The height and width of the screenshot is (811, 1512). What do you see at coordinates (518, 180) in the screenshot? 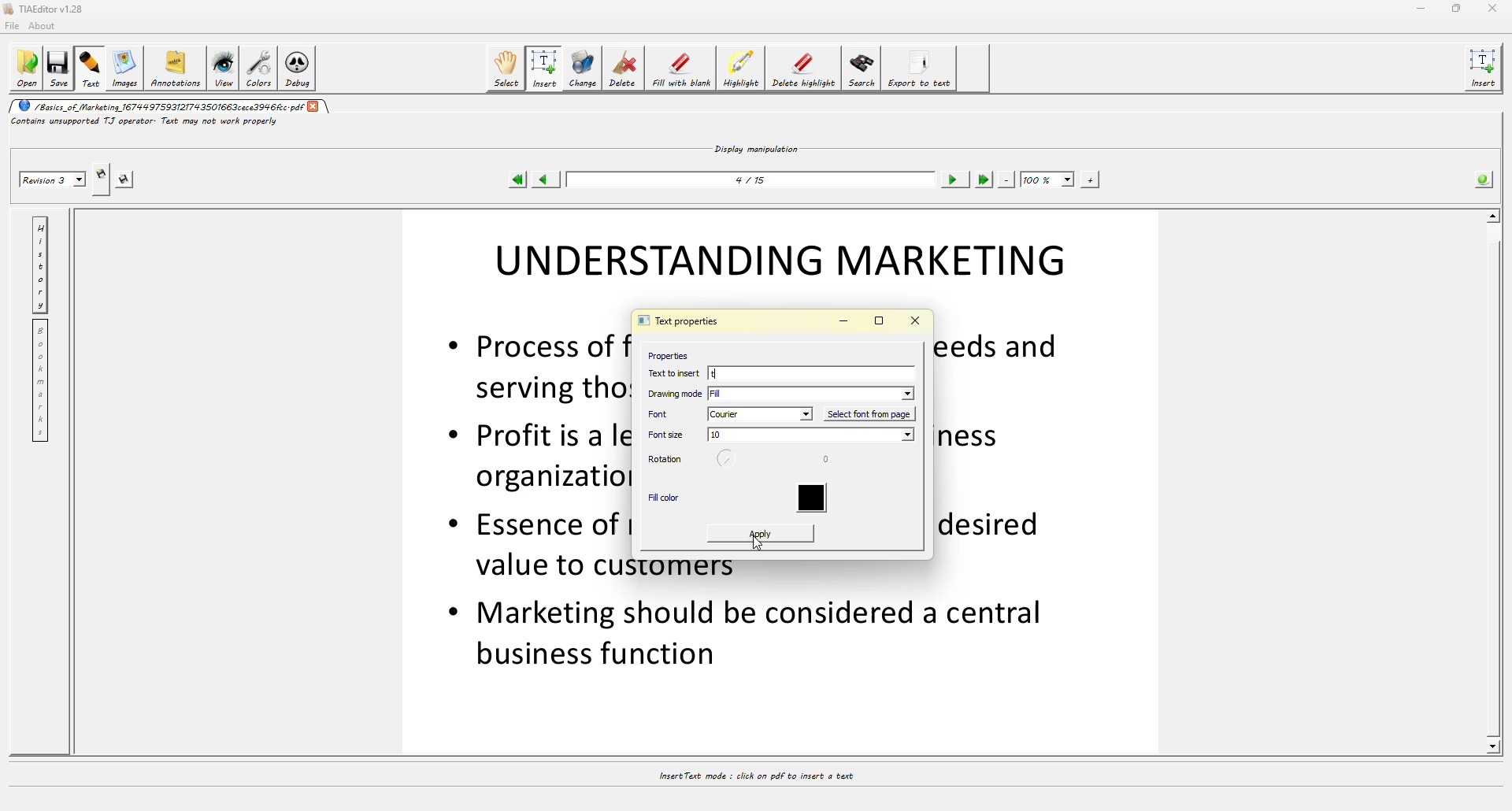
I see `first page` at bounding box center [518, 180].